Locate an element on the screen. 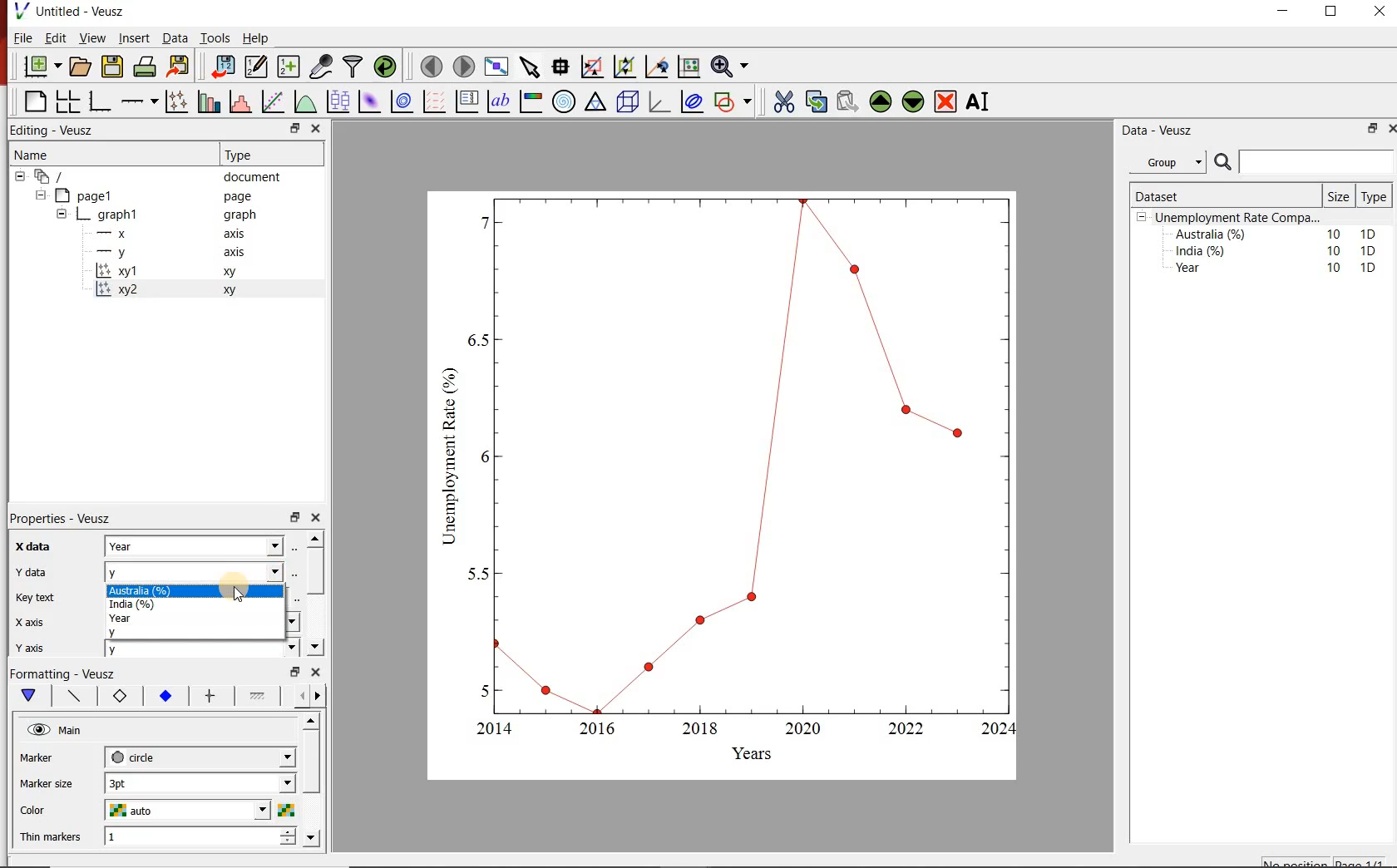 The image size is (1397, 868). polar graph is located at coordinates (565, 102).